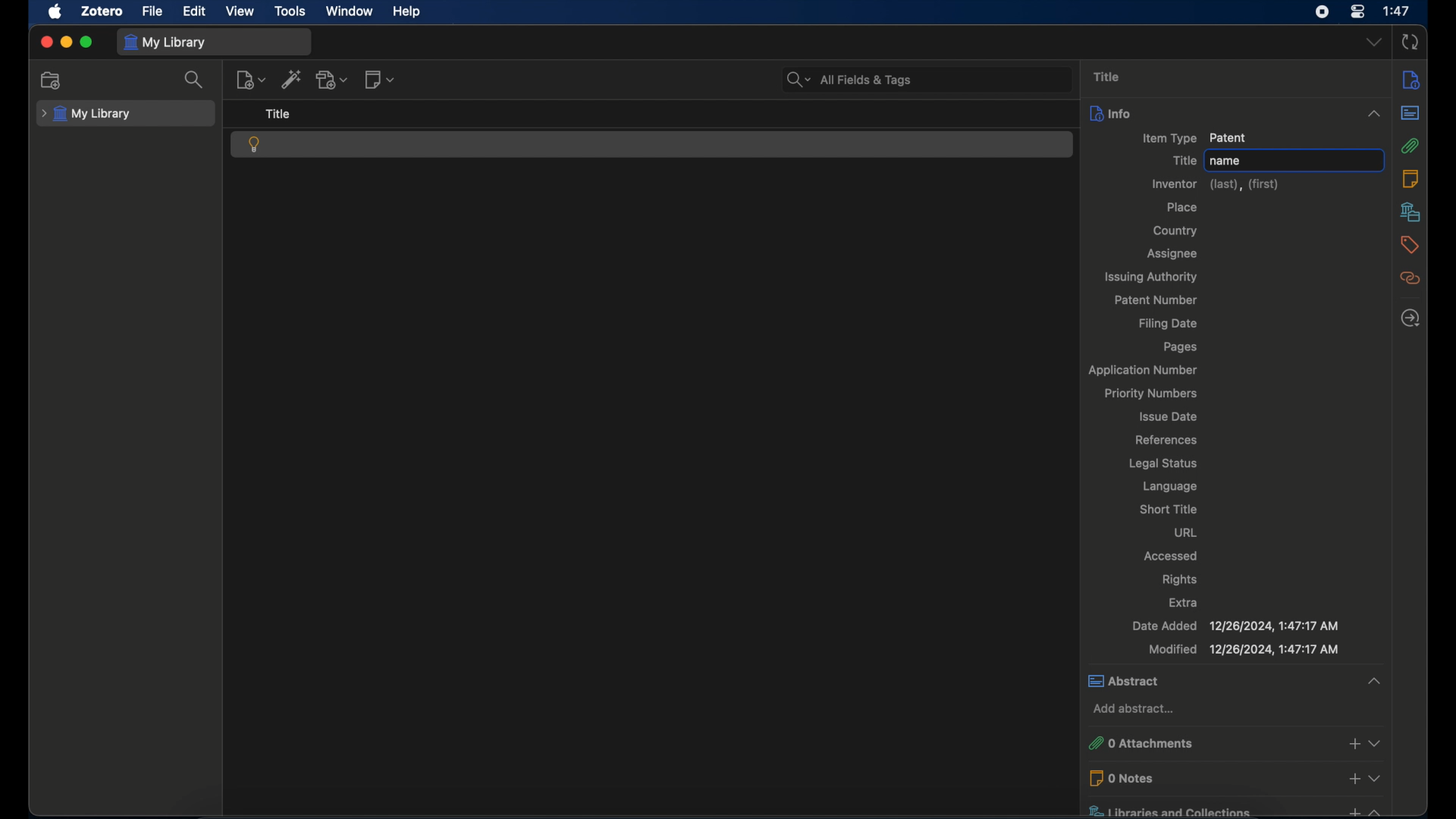 This screenshot has height=819, width=1456. Describe the element at coordinates (1183, 207) in the screenshot. I see `place` at that location.